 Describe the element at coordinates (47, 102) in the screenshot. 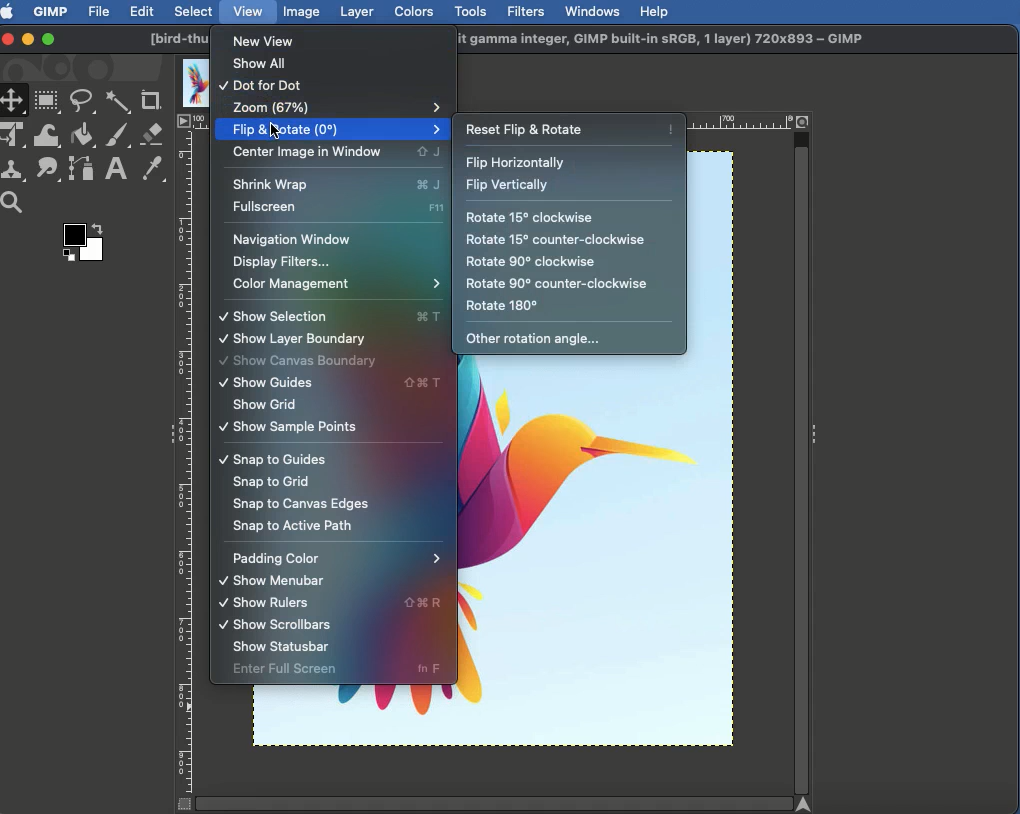

I see `Rectangular selector` at that location.